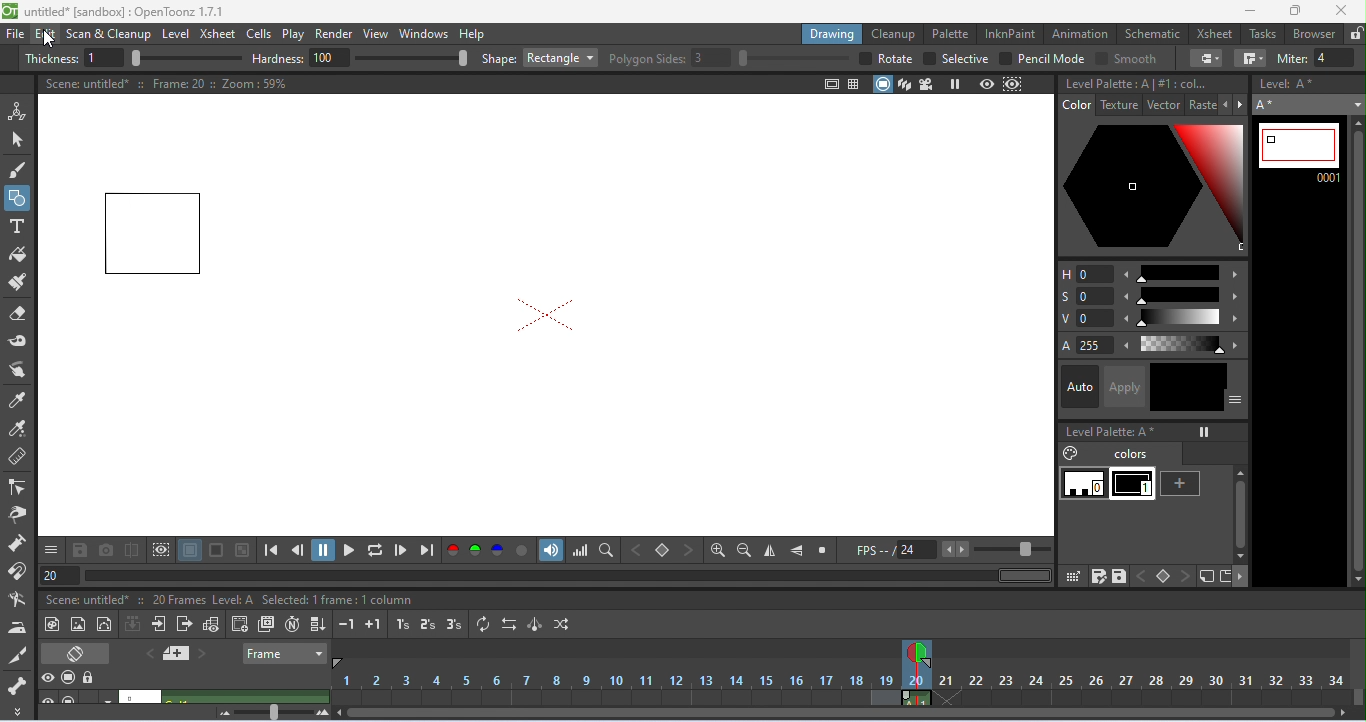  Describe the element at coordinates (79, 549) in the screenshot. I see `save images` at that location.